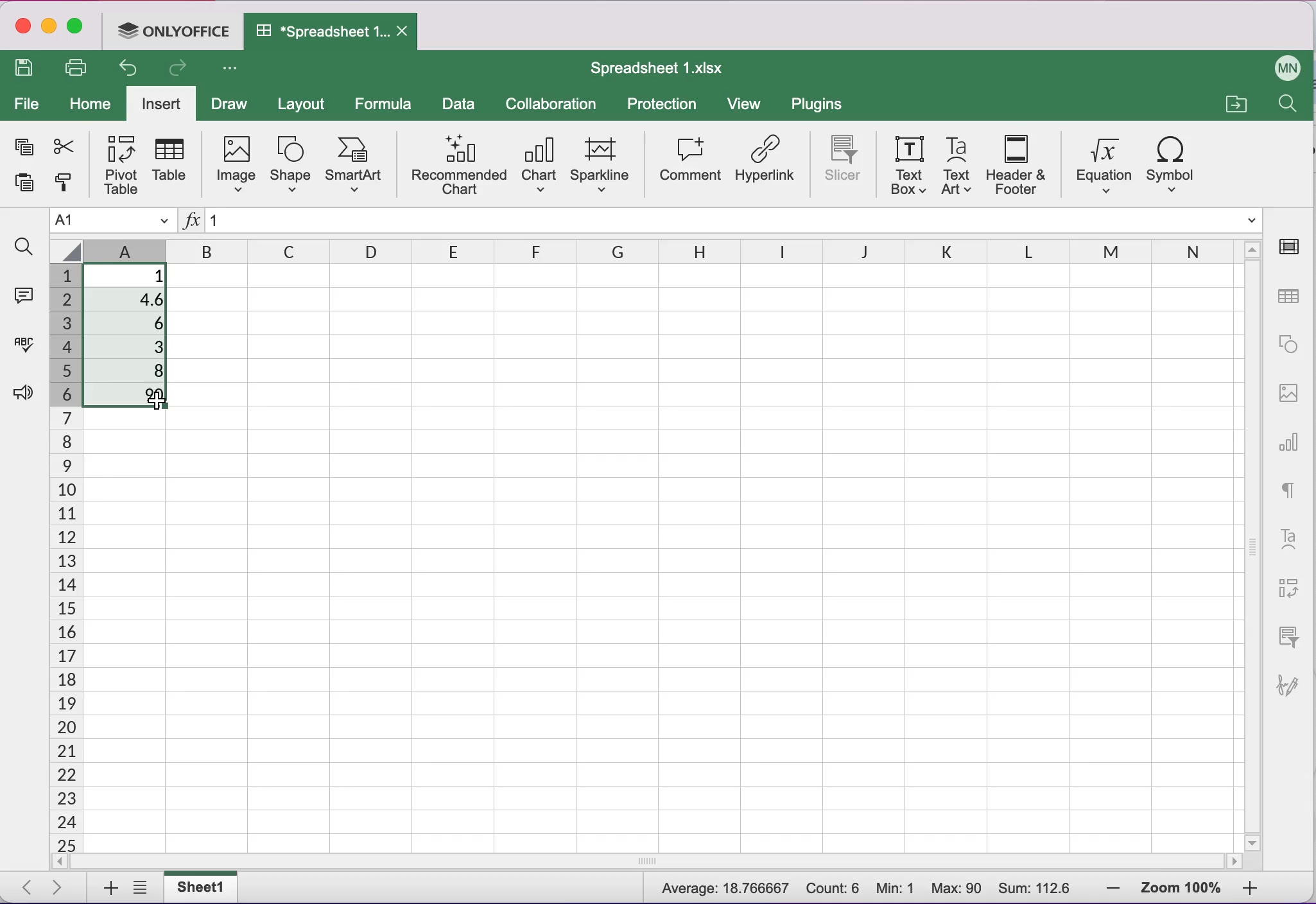 The height and width of the screenshot is (904, 1316). Describe the element at coordinates (105, 887) in the screenshot. I see `add sheets` at that location.